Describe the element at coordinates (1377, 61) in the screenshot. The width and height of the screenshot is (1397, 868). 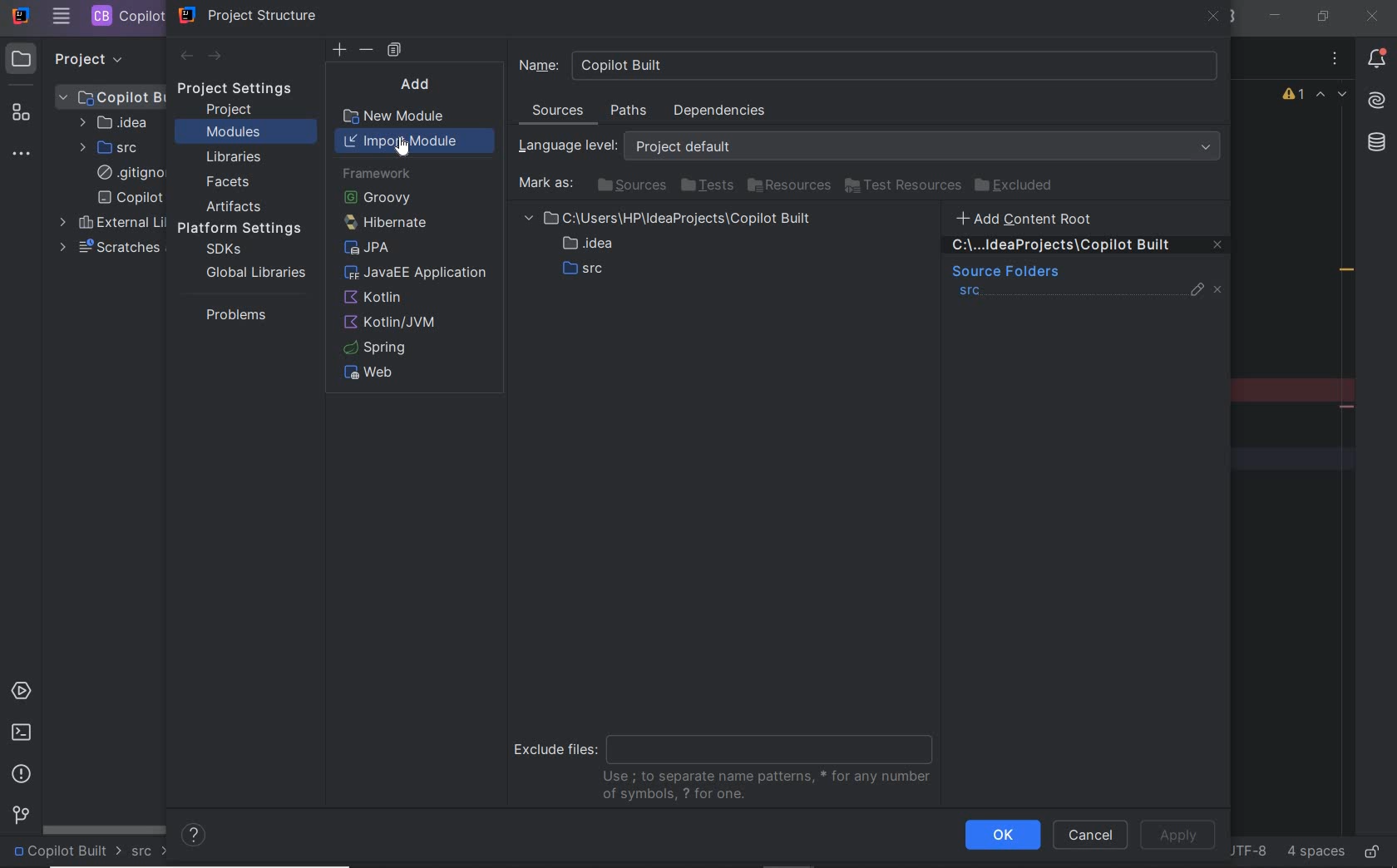
I see `notifications` at that location.